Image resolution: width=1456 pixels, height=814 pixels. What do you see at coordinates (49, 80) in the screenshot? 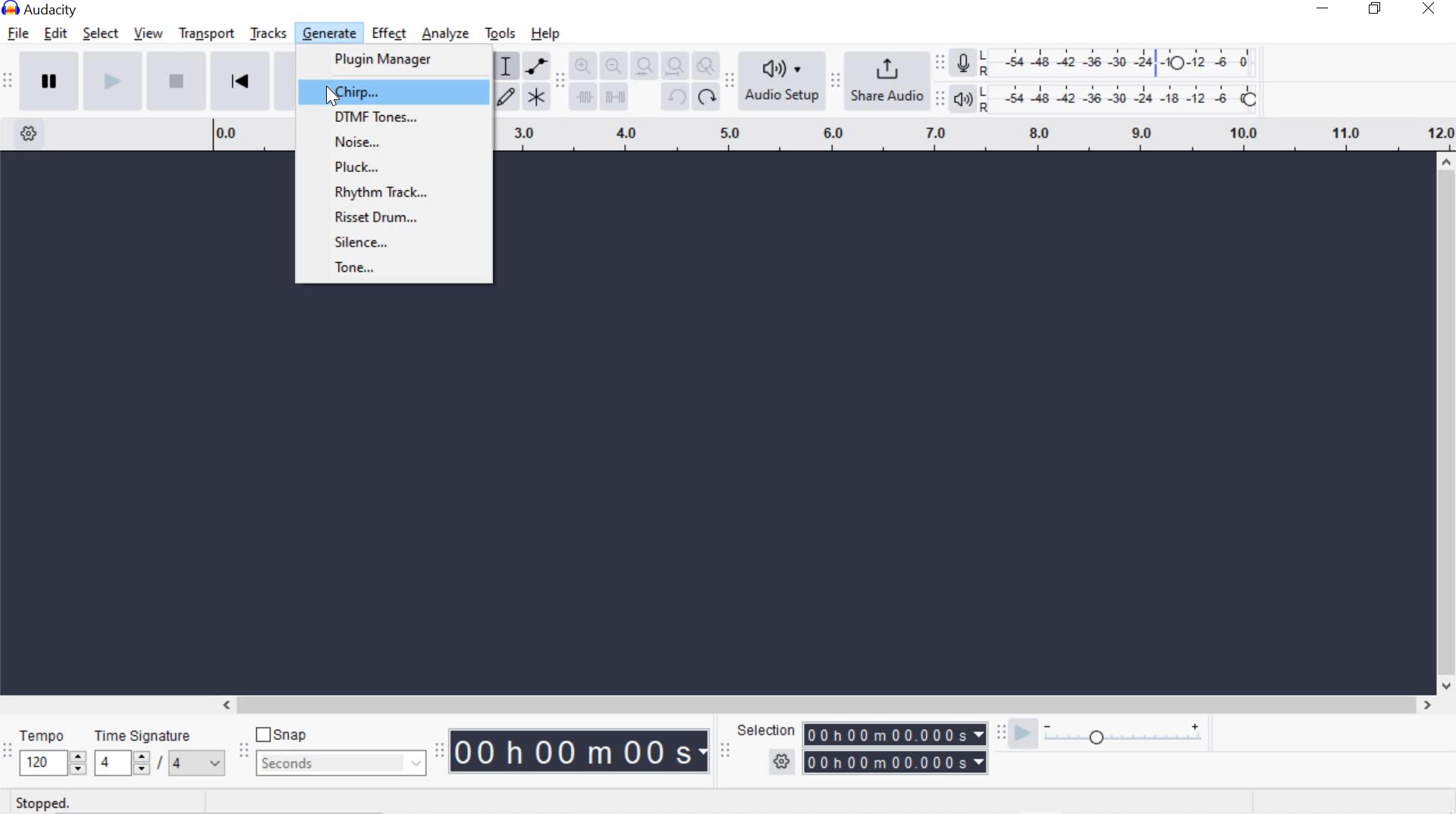
I see `pause` at bounding box center [49, 80].